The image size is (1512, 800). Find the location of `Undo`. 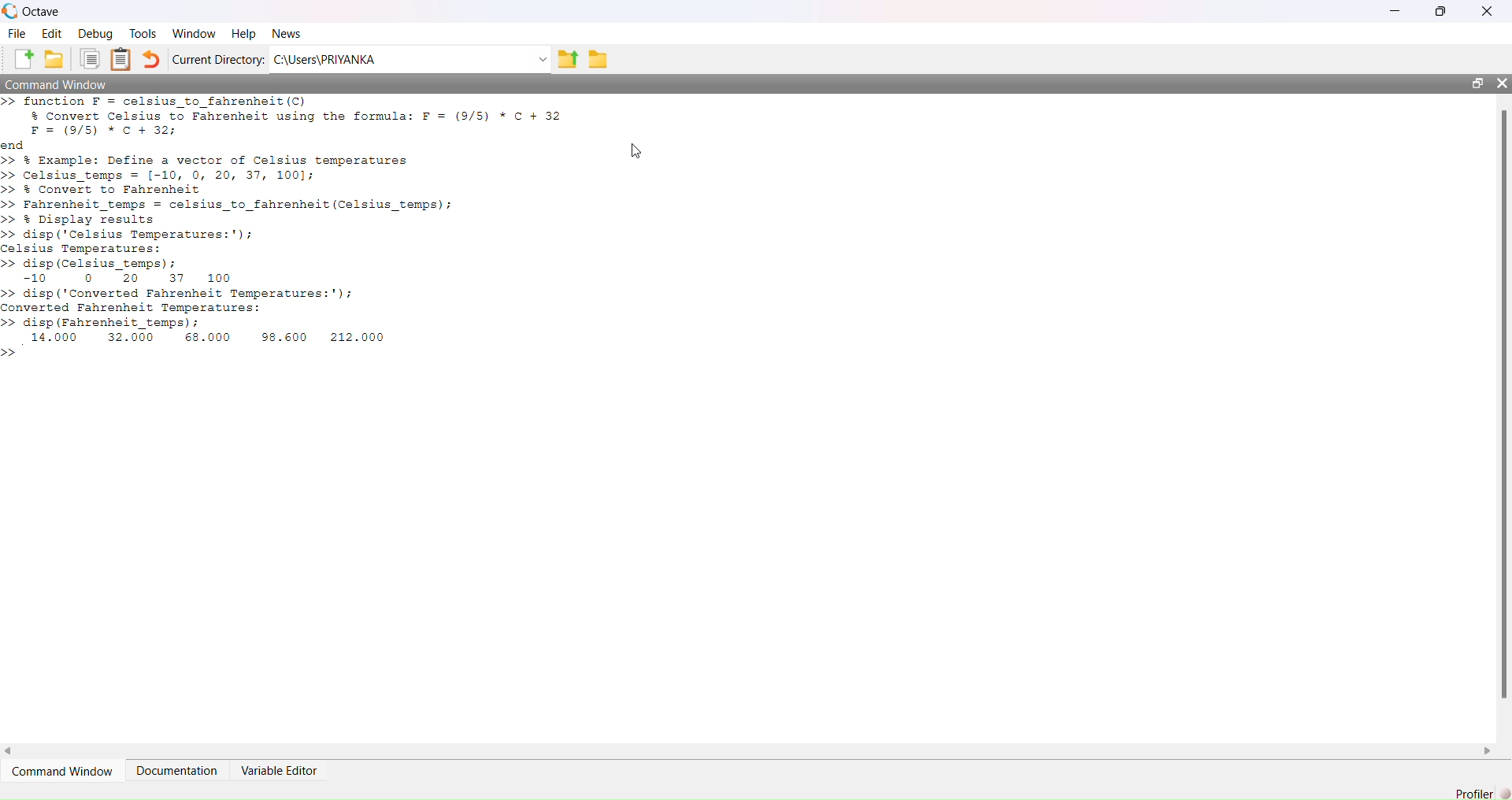

Undo is located at coordinates (152, 58).